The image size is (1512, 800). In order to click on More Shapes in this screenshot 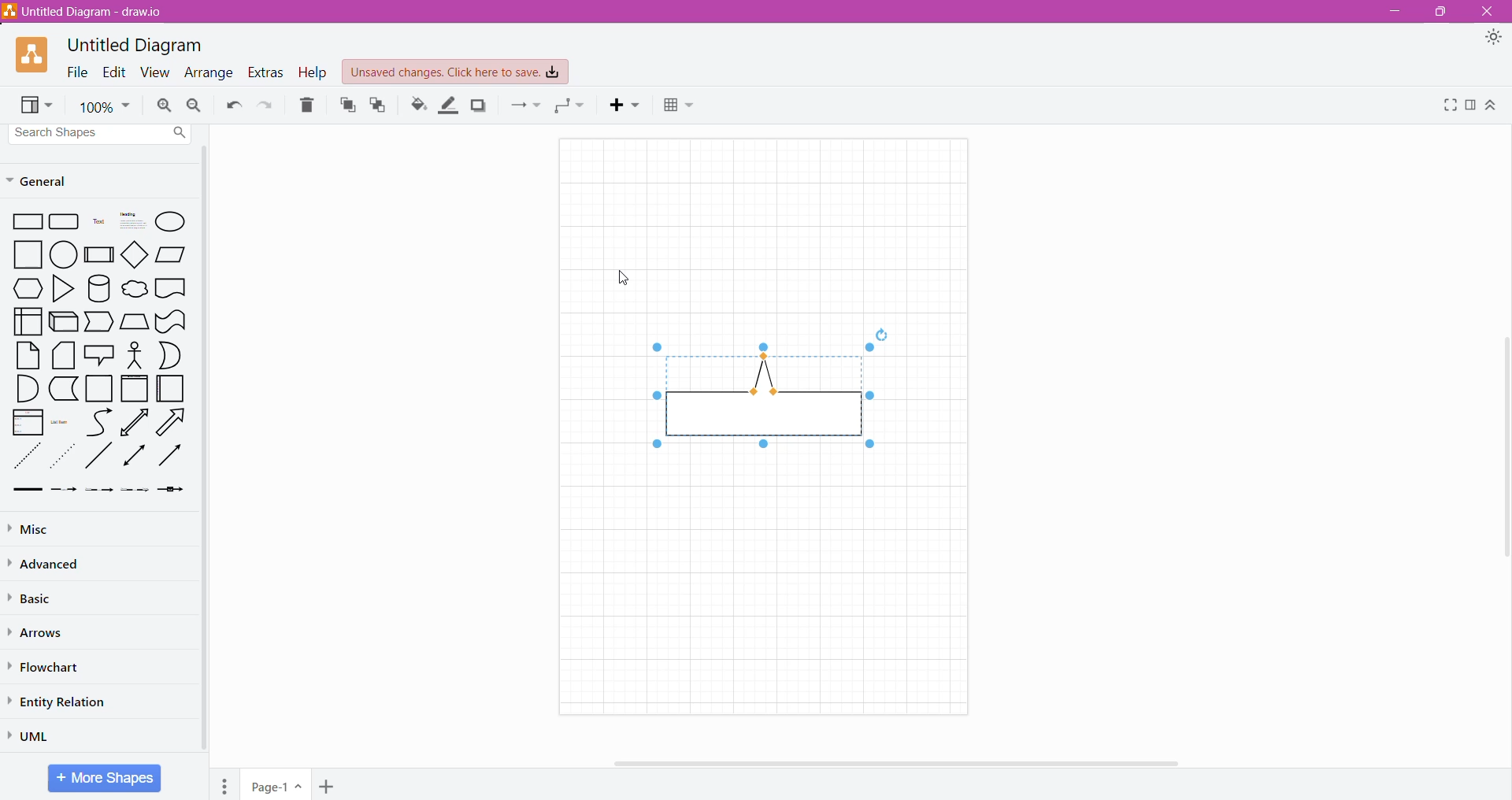, I will do `click(104, 778)`.